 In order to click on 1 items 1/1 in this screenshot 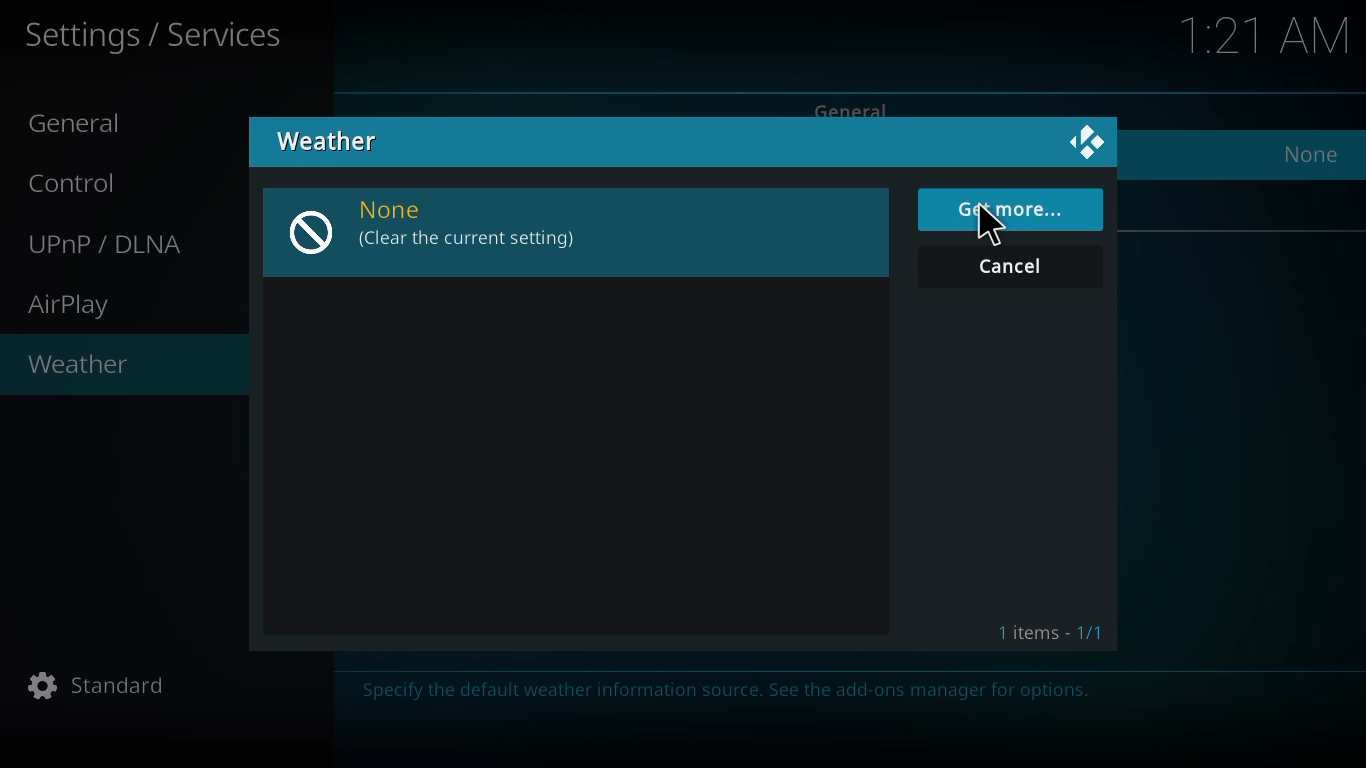, I will do `click(1052, 634)`.